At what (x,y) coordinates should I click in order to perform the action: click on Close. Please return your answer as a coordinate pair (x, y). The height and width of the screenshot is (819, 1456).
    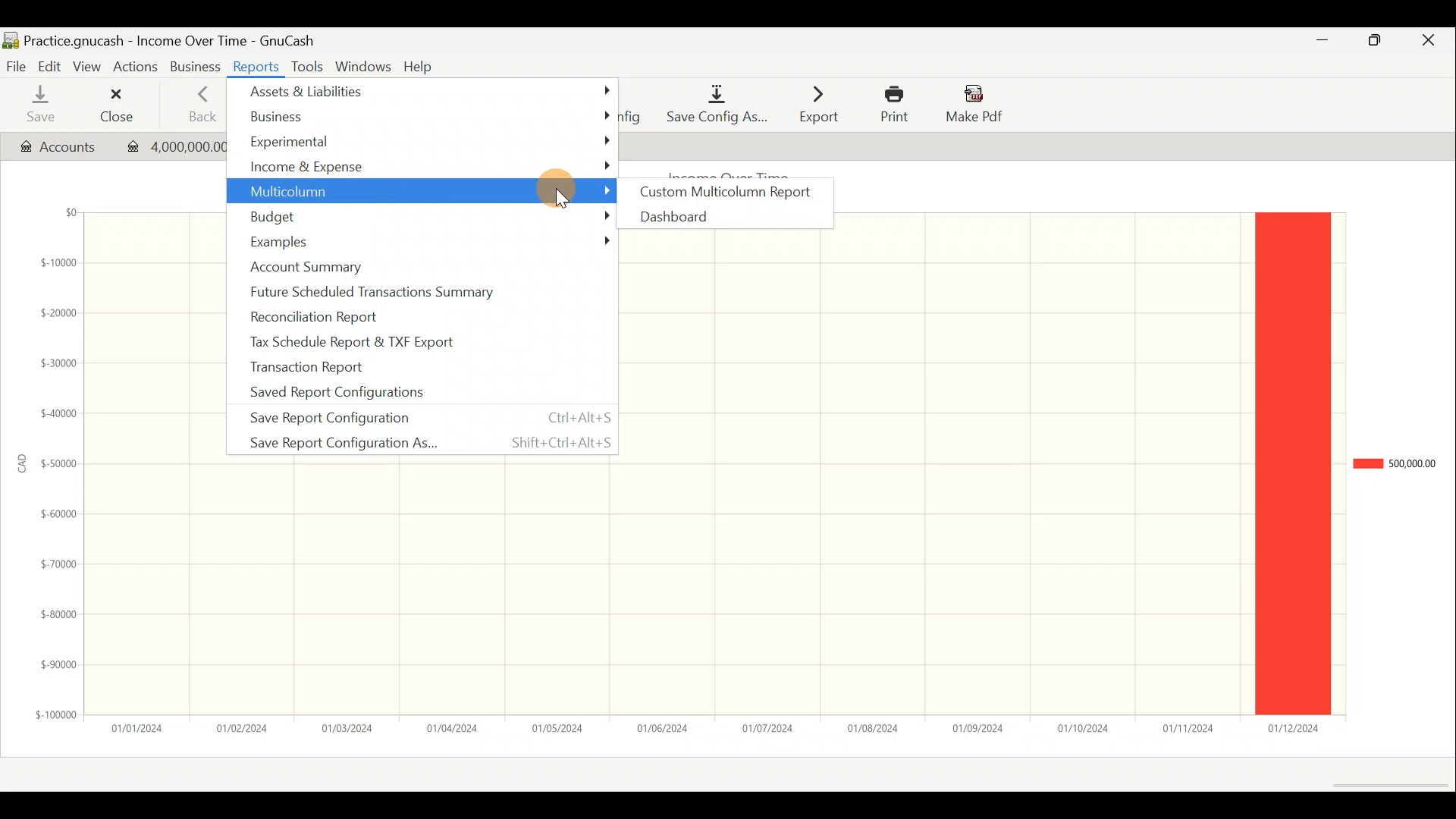
    Looking at the image, I should click on (118, 104).